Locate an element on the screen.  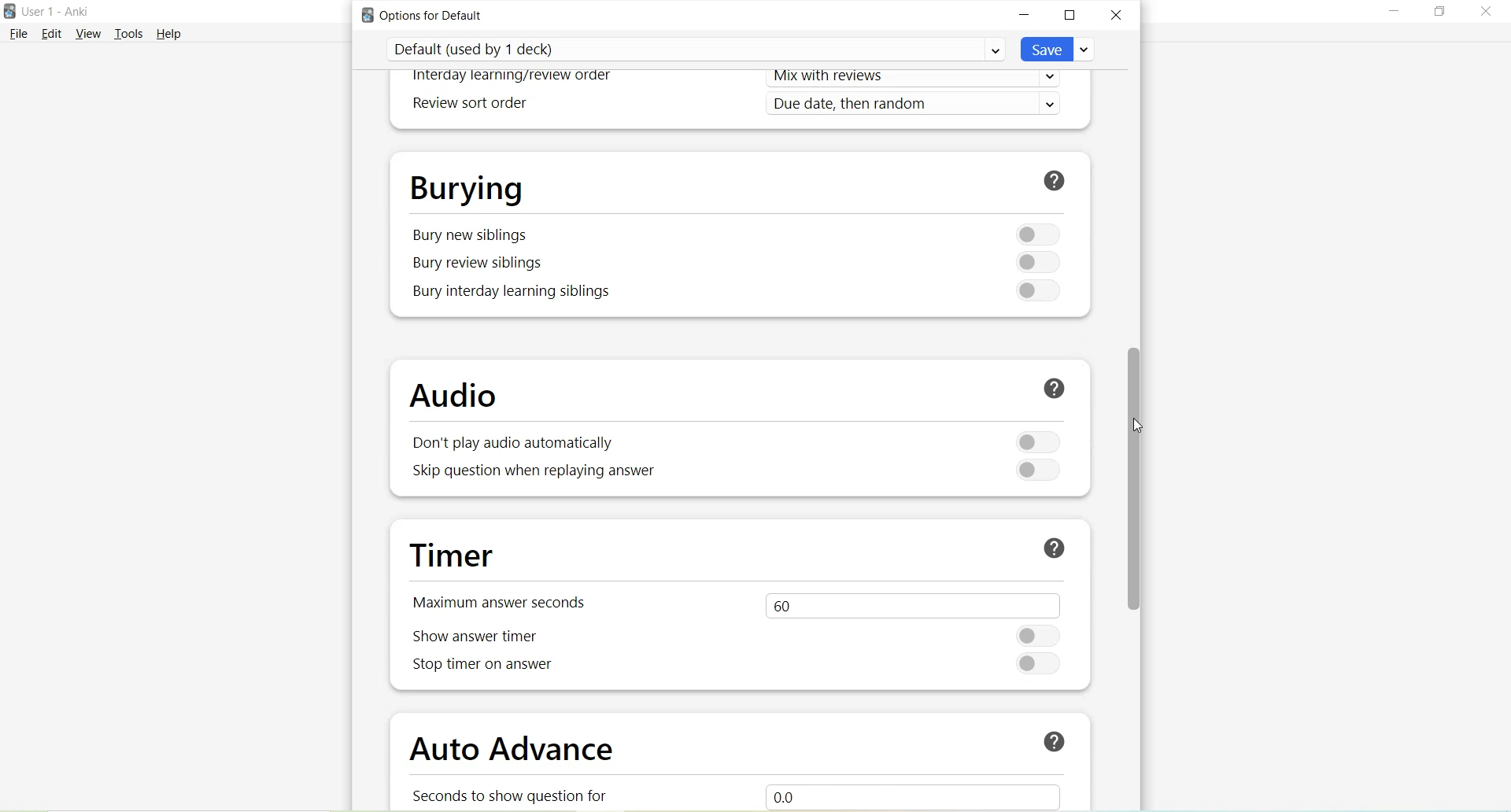
Maximum answer seconds is located at coordinates (507, 601).